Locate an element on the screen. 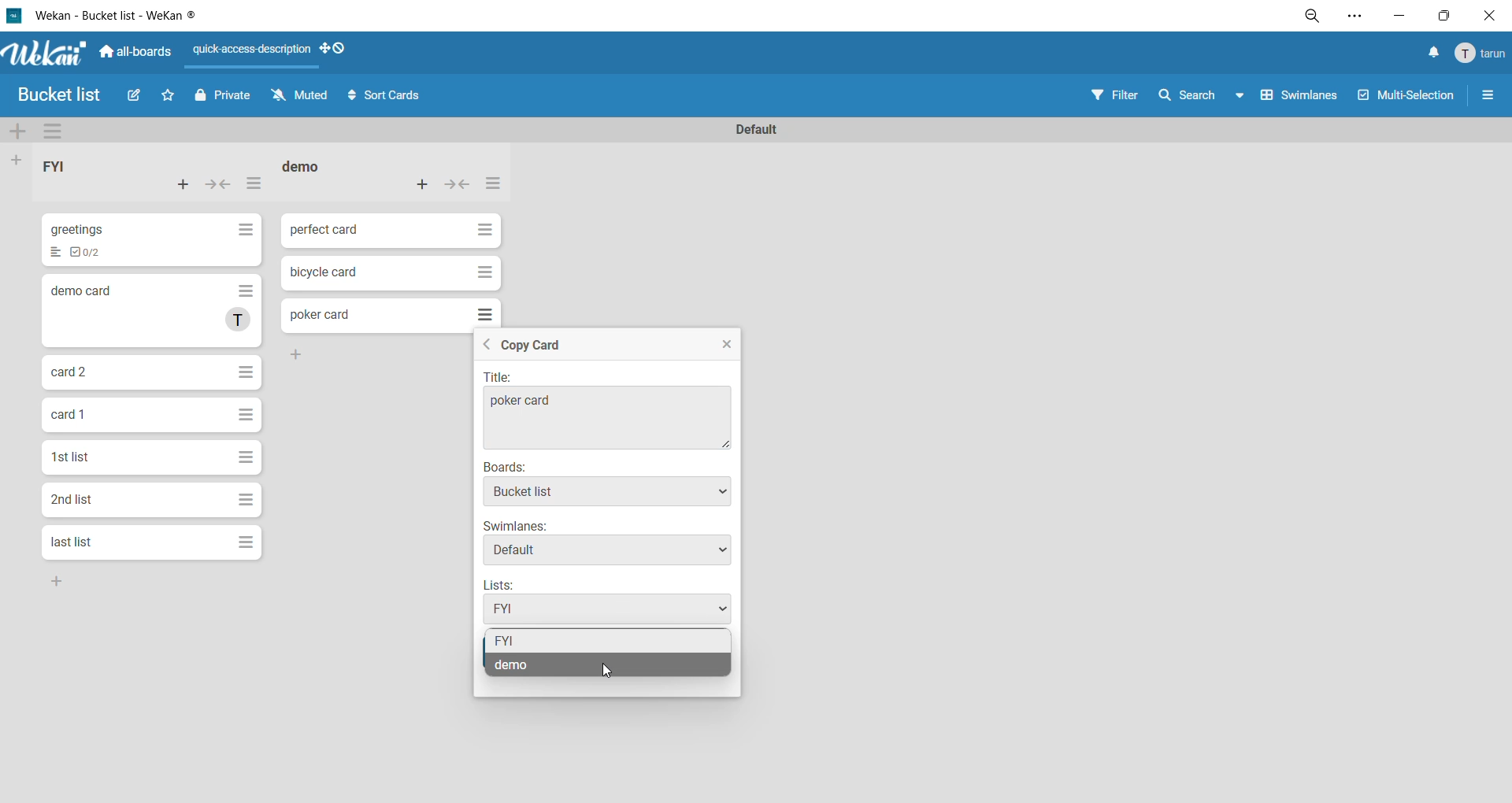 The height and width of the screenshot is (803, 1512). add swimlane is located at coordinates (20, 134).